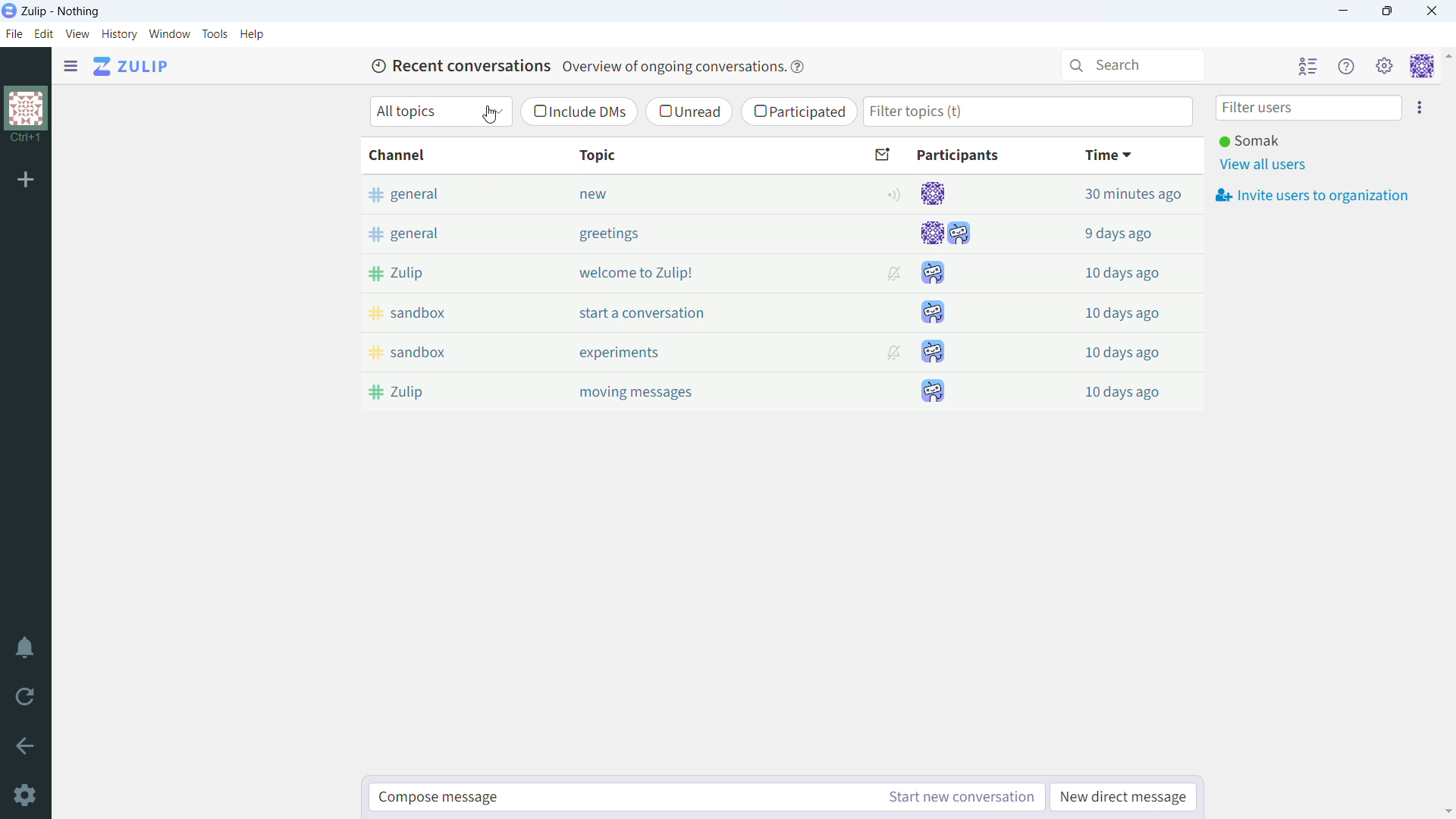 This screenshot has width=1456, height=819. Describe the element at coordinates (891, 195) in the screenshot. I see `follow` at that location.